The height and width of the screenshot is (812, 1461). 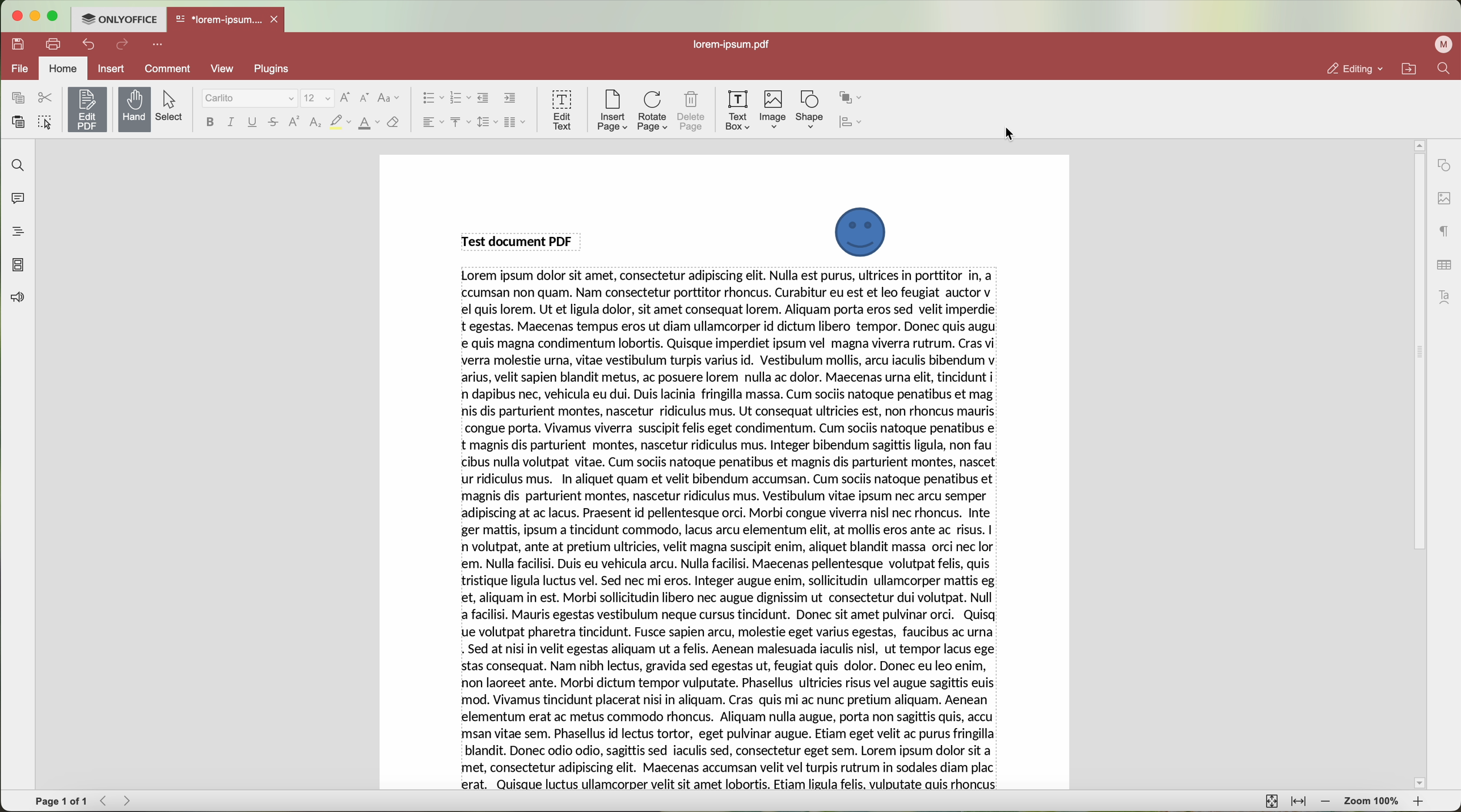 I want to click on arrange shape, so click(x=854, y=96).